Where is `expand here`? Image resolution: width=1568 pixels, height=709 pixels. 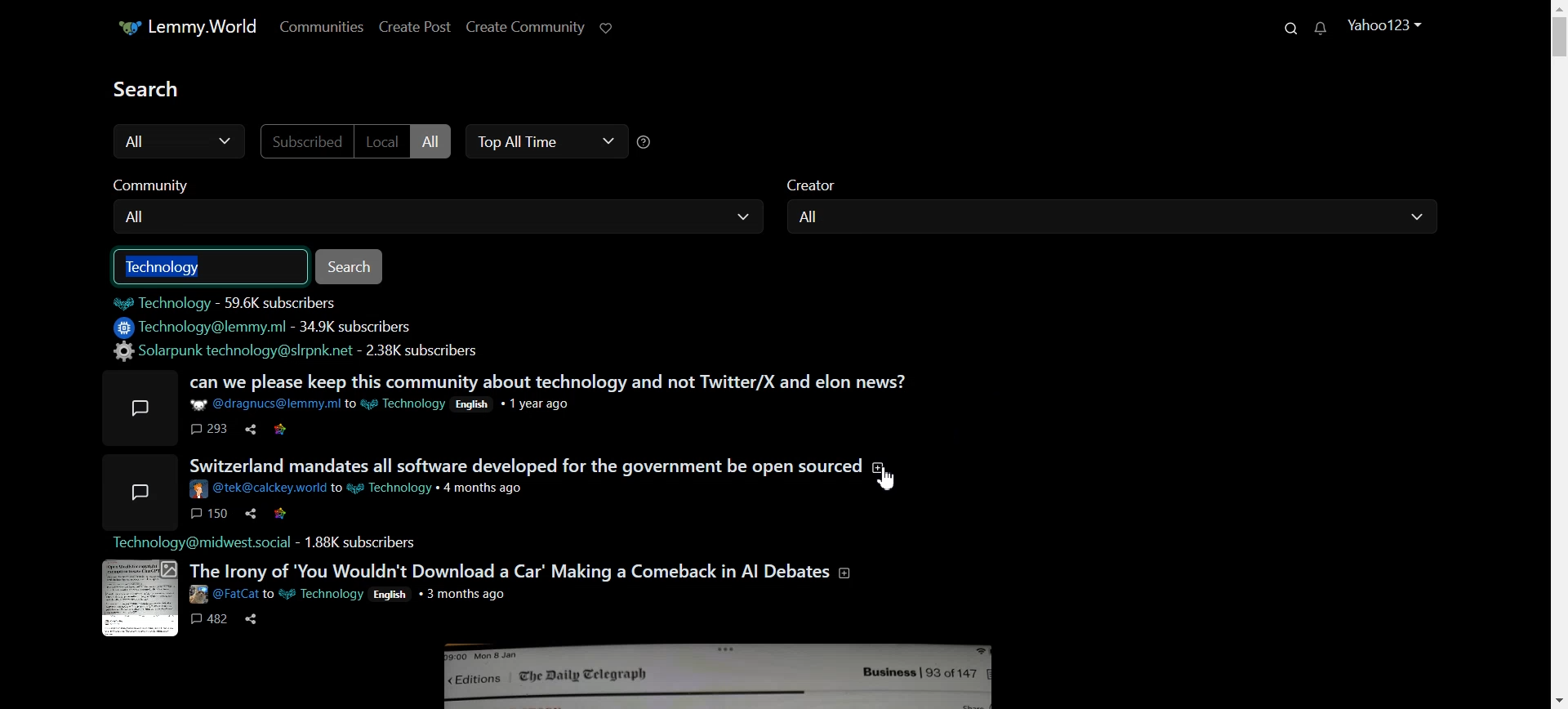 expand here is located at coordinates (138, 600).